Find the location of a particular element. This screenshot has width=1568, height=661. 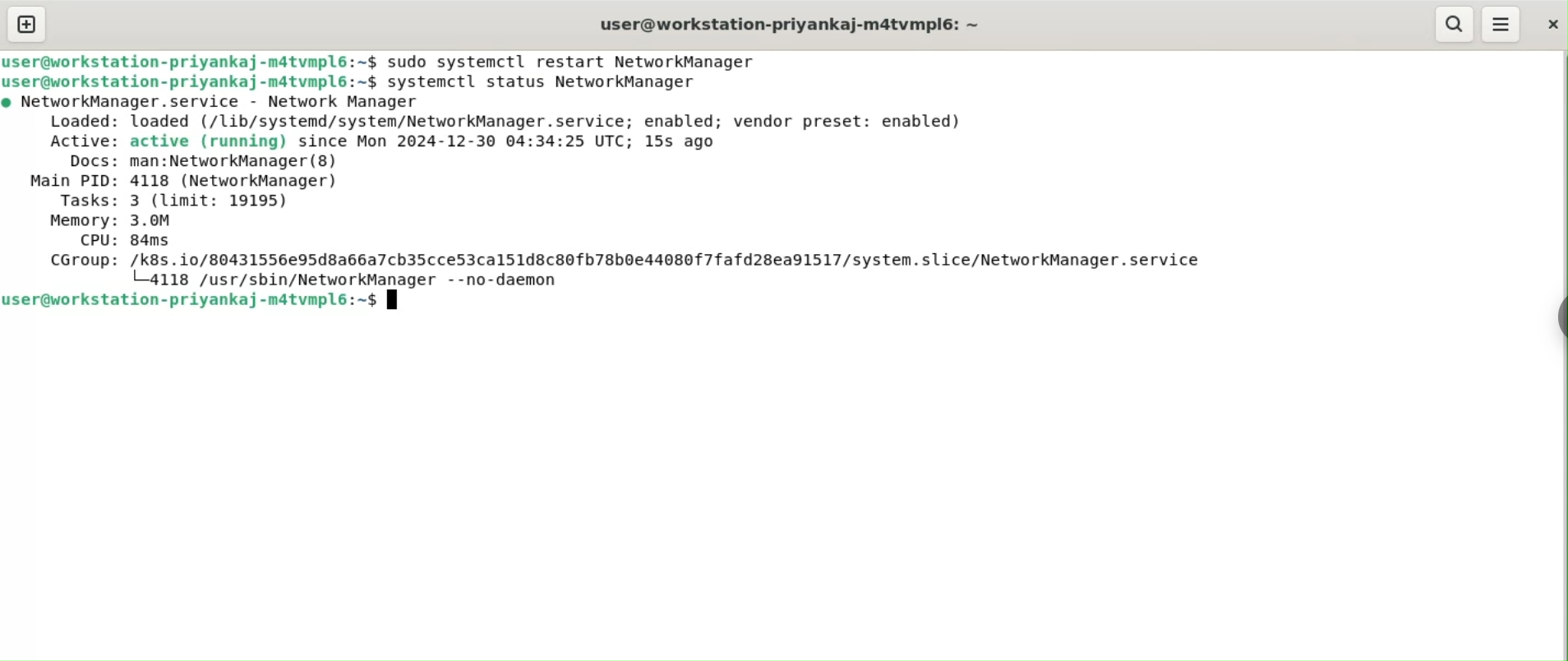

user@workstation-priyankaj-m4tvmlp6:~ is located at coordinates (797, 23).